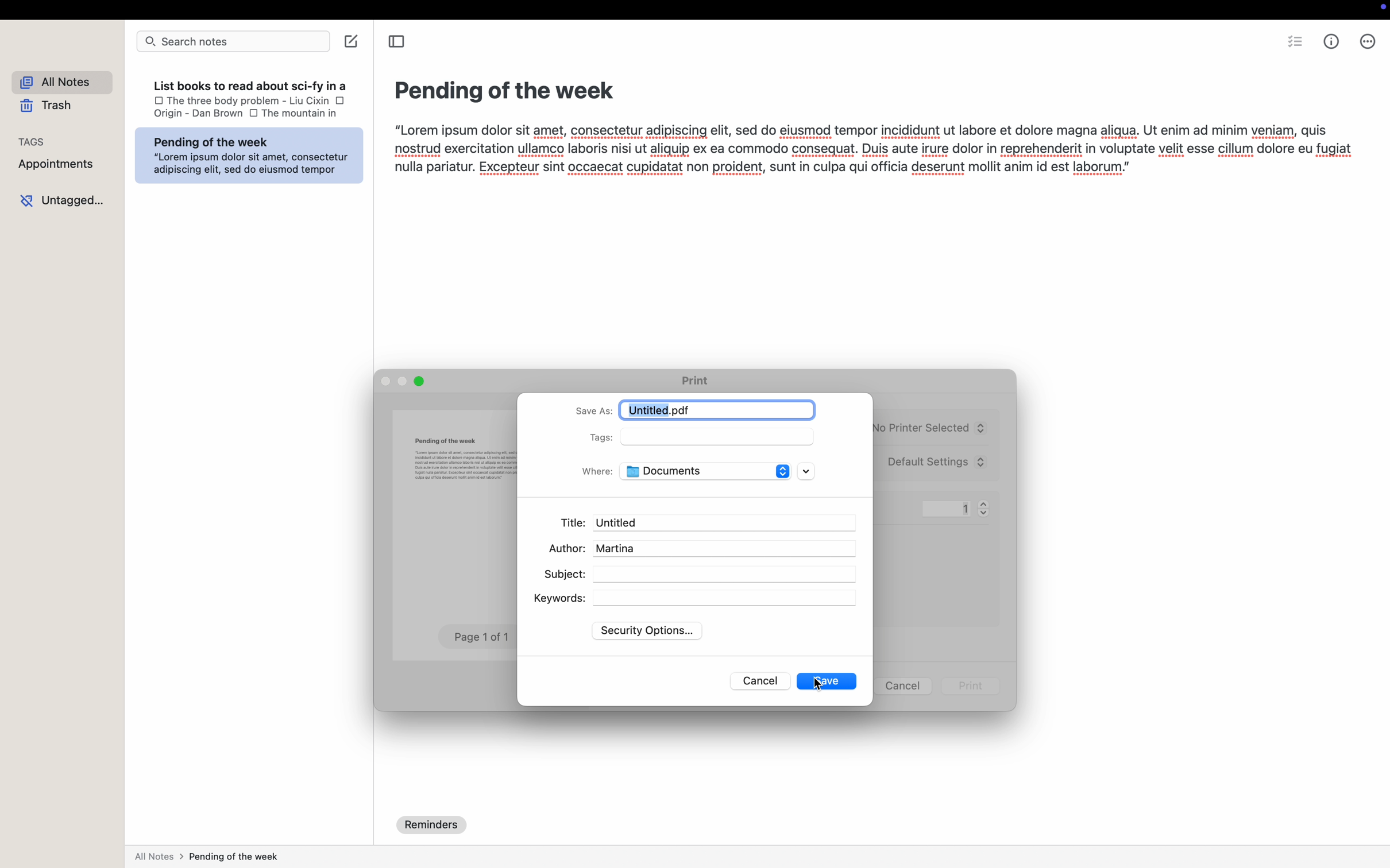  I want to click on “Lorem ipsum dolor sit amet, consectetur adipiscing elit, sed do eiusmod tempor incididunt ut labore et dolore magna aligua. Ut enim ad minim veniam, quis
nostrud exercitation ullamco laboris nisi ut aliquip ex ea commodo consequat. Duis aute irure dolor in reprehenderit in voluptate velit esse cillum dolore eu fugiat
nulla pariatur. Excepteur sint occaecat cupidatat non proident, sunt in culpa qui officia deserunt mollit anim id est laborum.”, so click(869, 148).